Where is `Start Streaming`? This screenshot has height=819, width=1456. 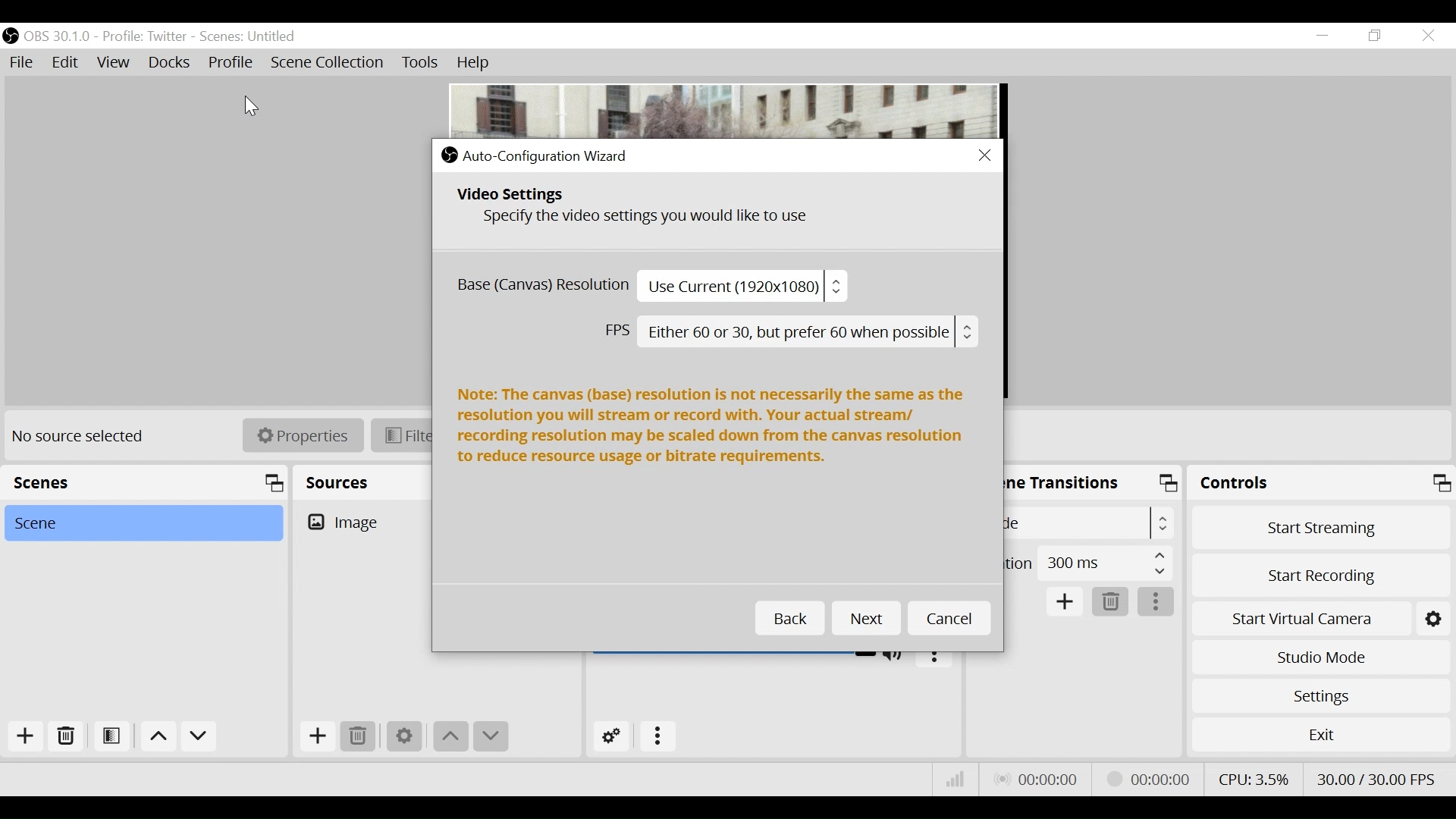
Start Streaming is located at coordinates (1321, 526).